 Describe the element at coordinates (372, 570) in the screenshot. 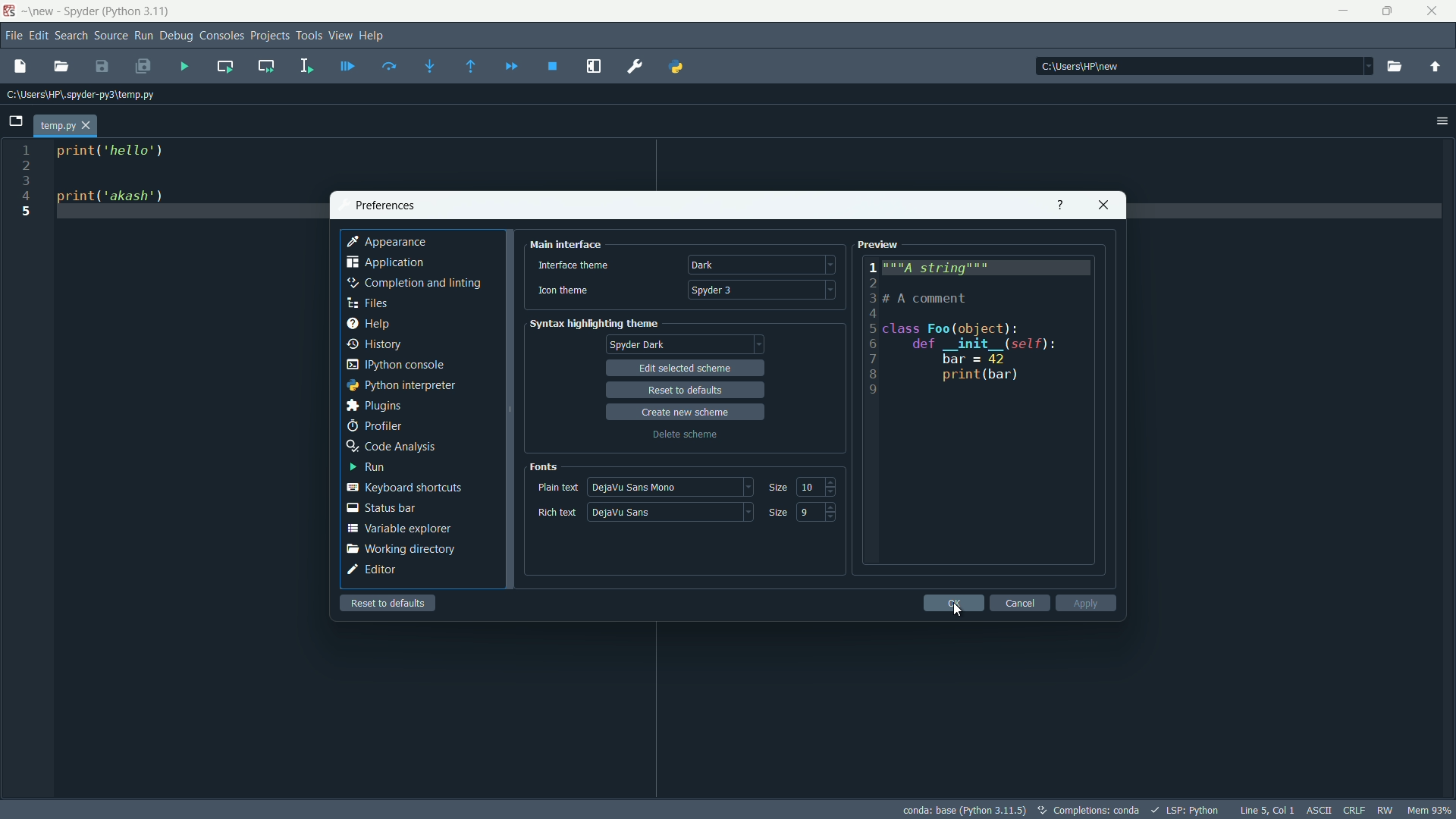

I see `editor` at that location.